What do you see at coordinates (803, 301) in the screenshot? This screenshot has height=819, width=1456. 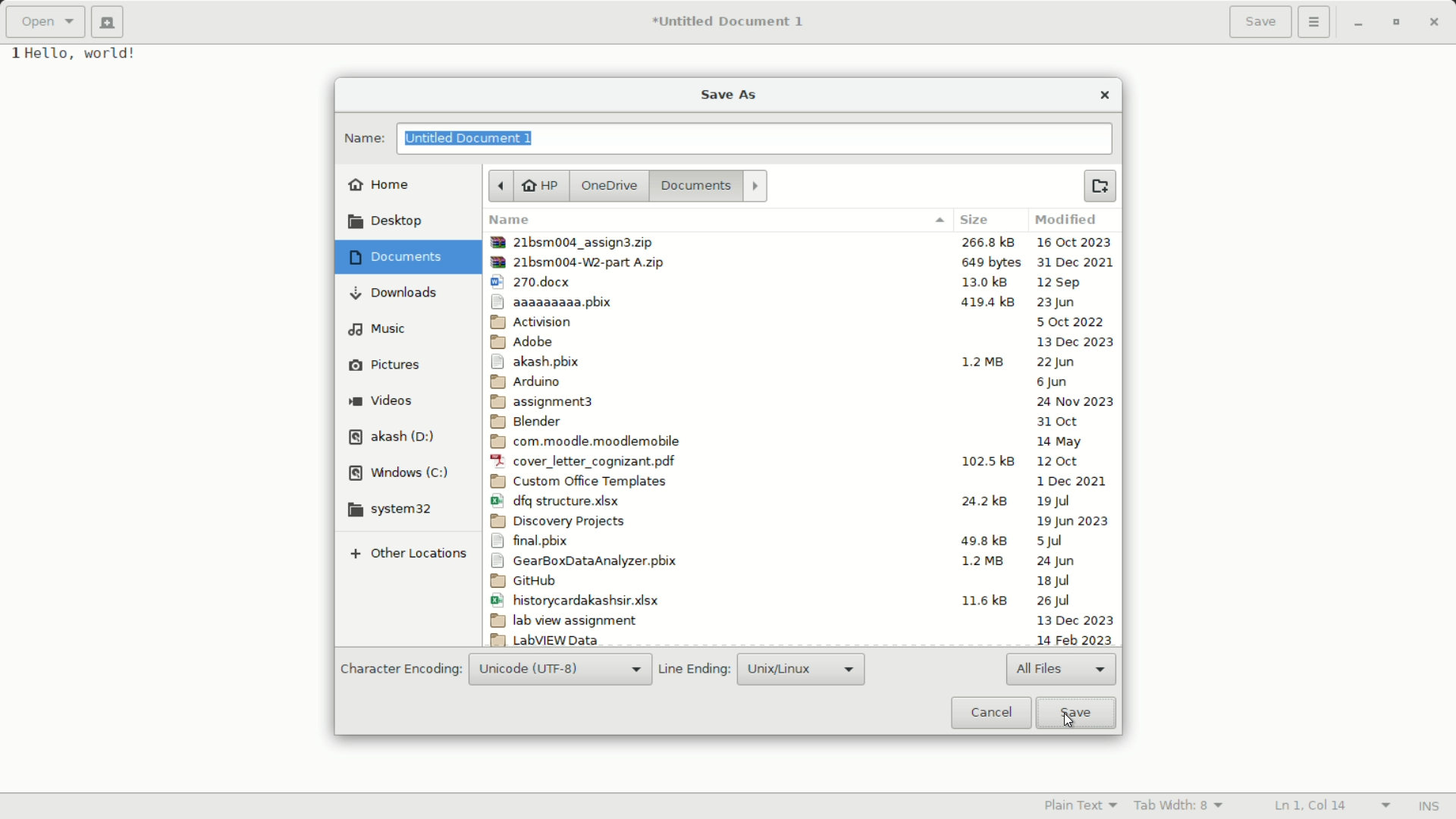 I see `File` at bounding box center [803, 301].